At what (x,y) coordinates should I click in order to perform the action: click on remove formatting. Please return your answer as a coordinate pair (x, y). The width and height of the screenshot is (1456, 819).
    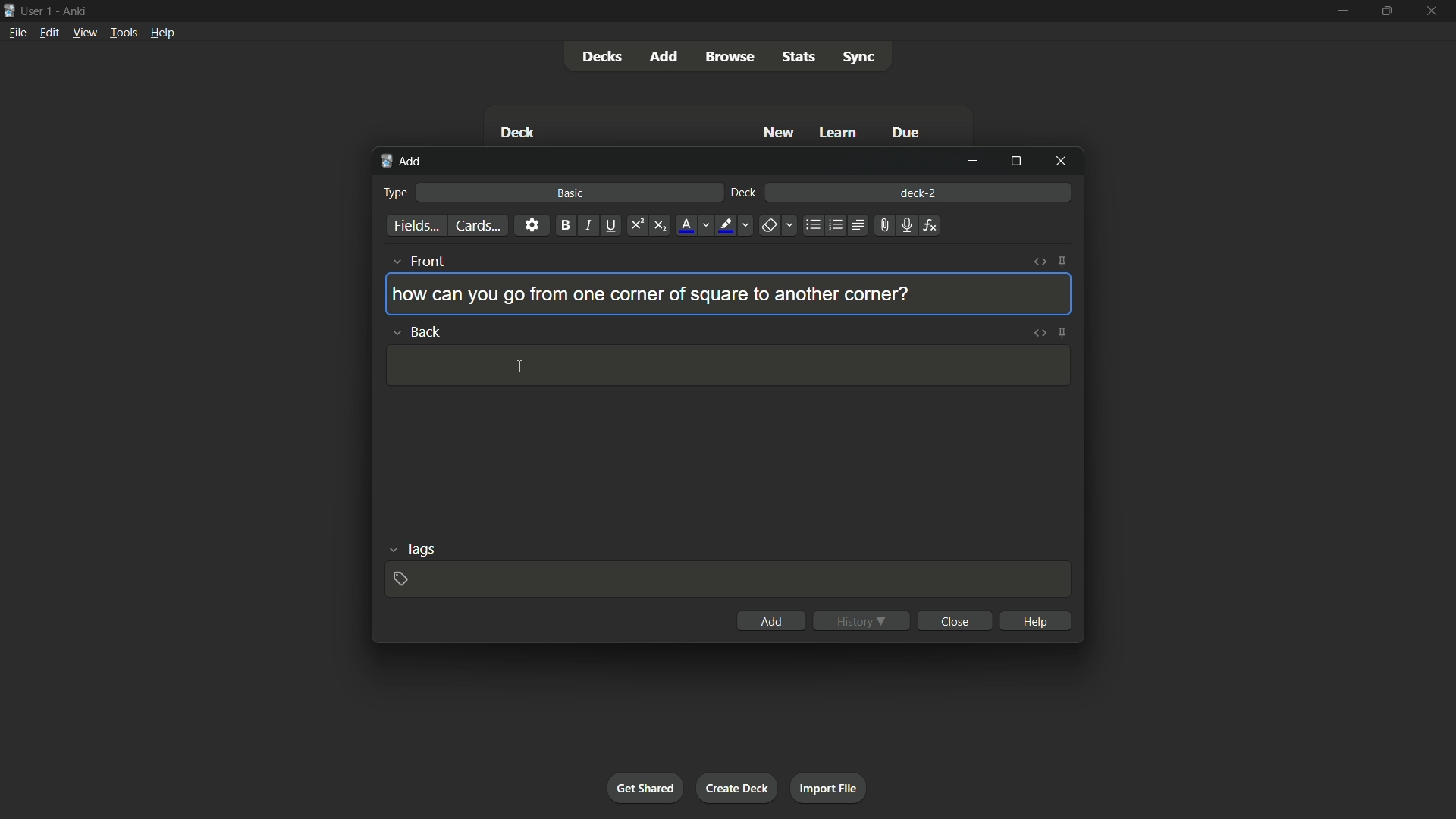
    Looking at the image, I should click on (778, 226).